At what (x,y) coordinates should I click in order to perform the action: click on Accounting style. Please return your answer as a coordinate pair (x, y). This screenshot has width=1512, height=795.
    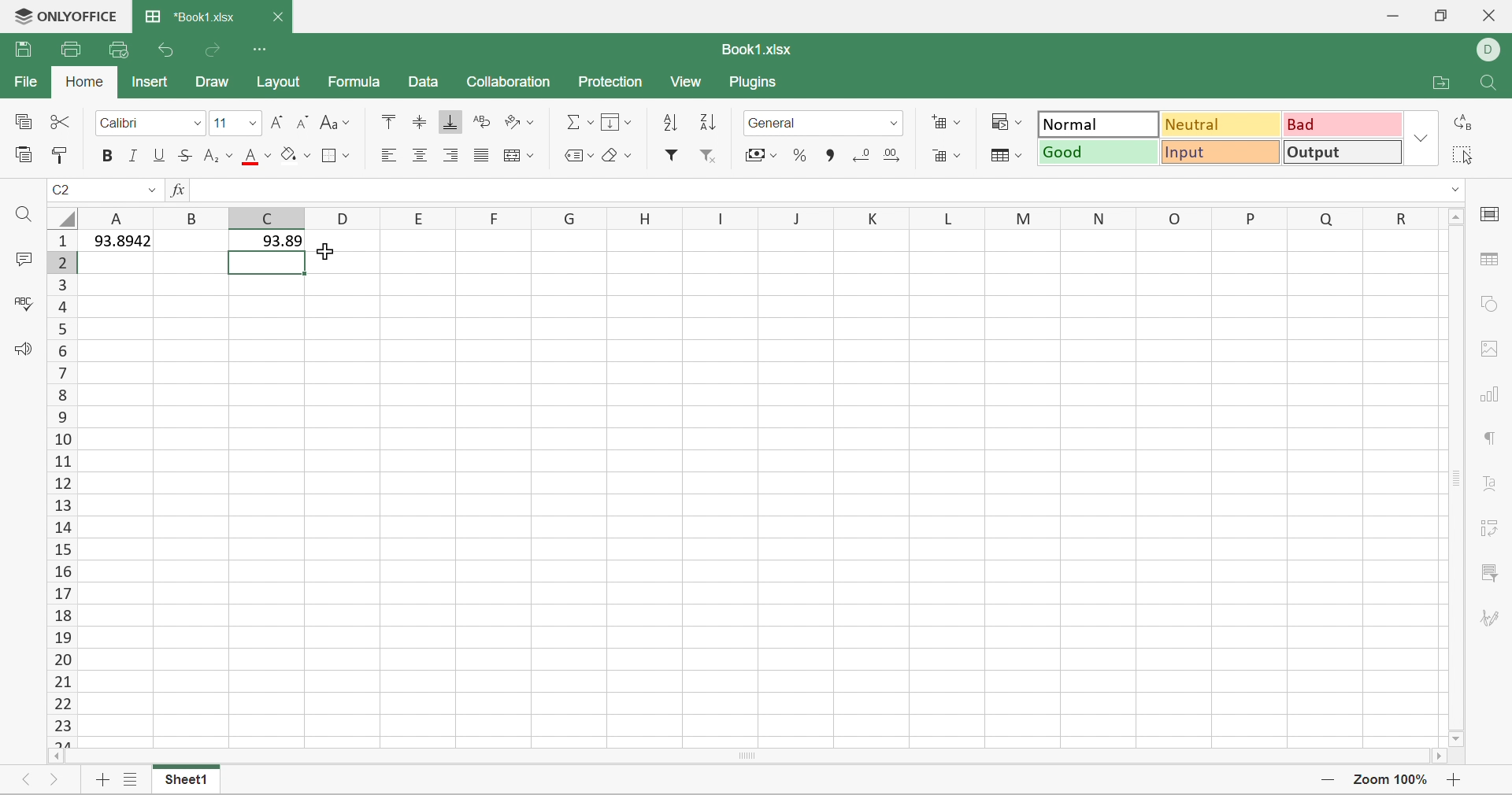
    Looking at the image, I should click on (761, 155).